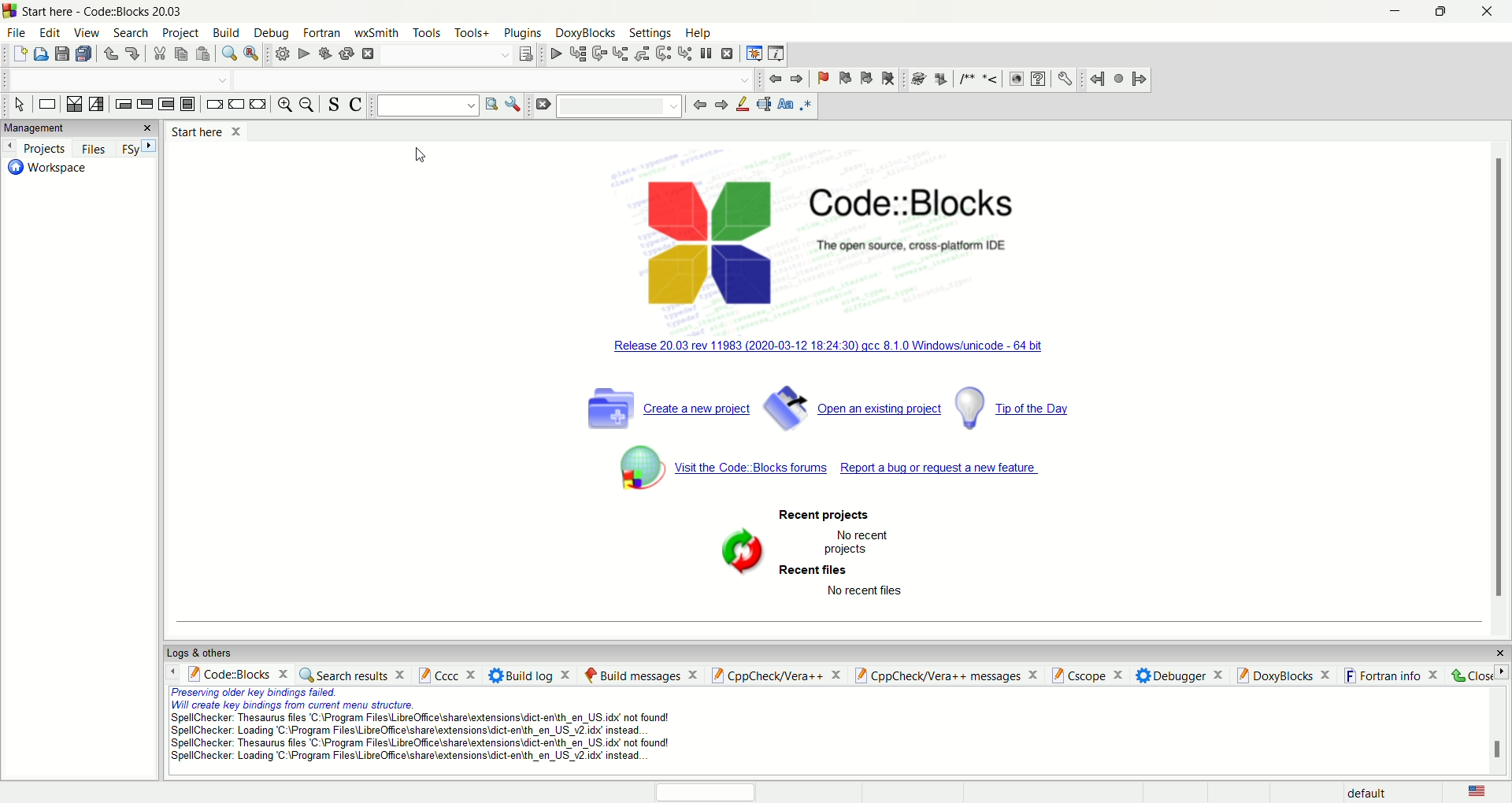 The image size is (1512, 803). What do you see at coordinates (236, 105) in the screenshot?
I see `continue` at bounding box center [236, 105].